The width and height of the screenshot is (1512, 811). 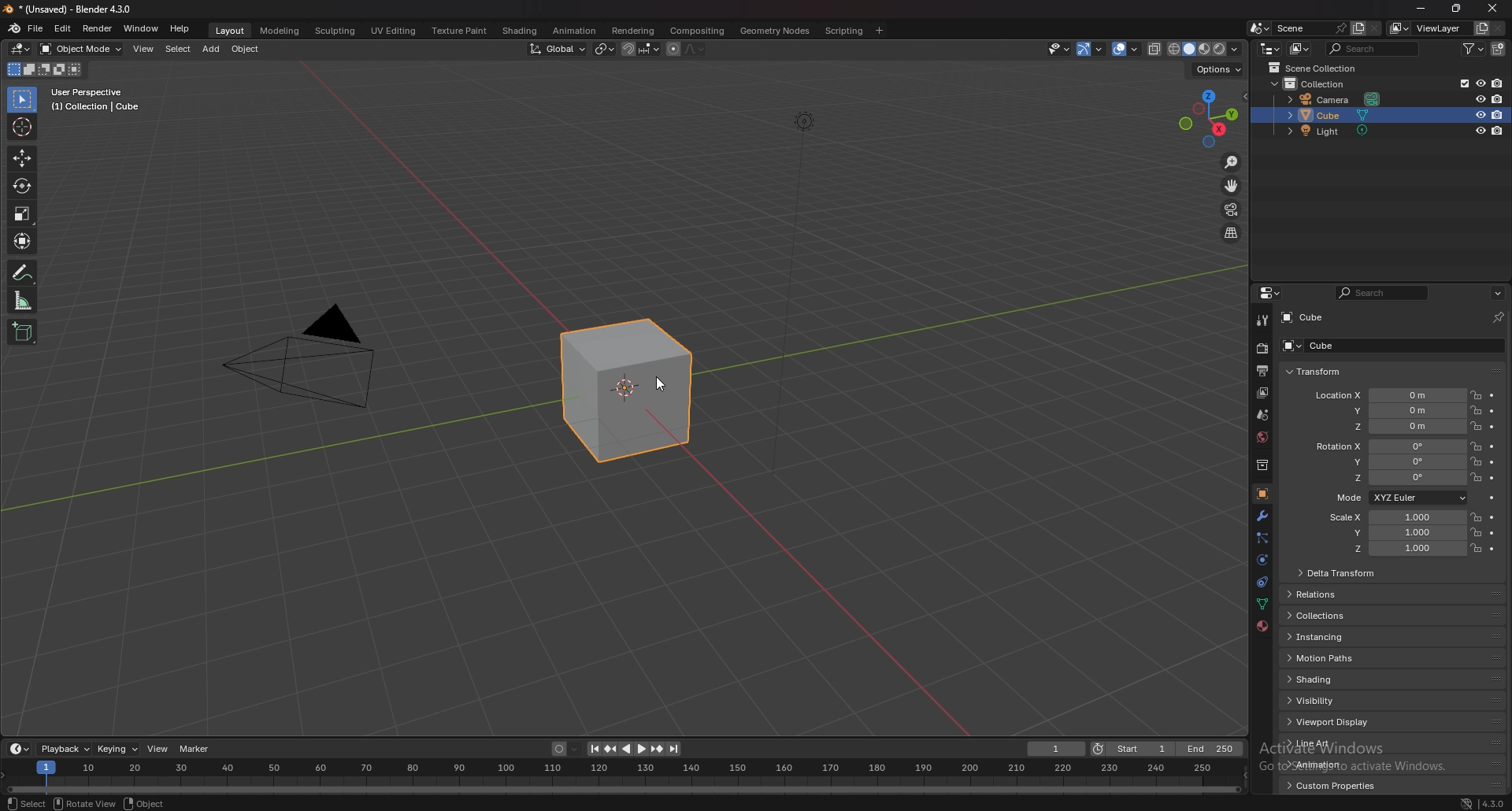 What do you see at coordinates (846, 31) in the screenshot?
I see `scripting` at bounding box center [846, 31].